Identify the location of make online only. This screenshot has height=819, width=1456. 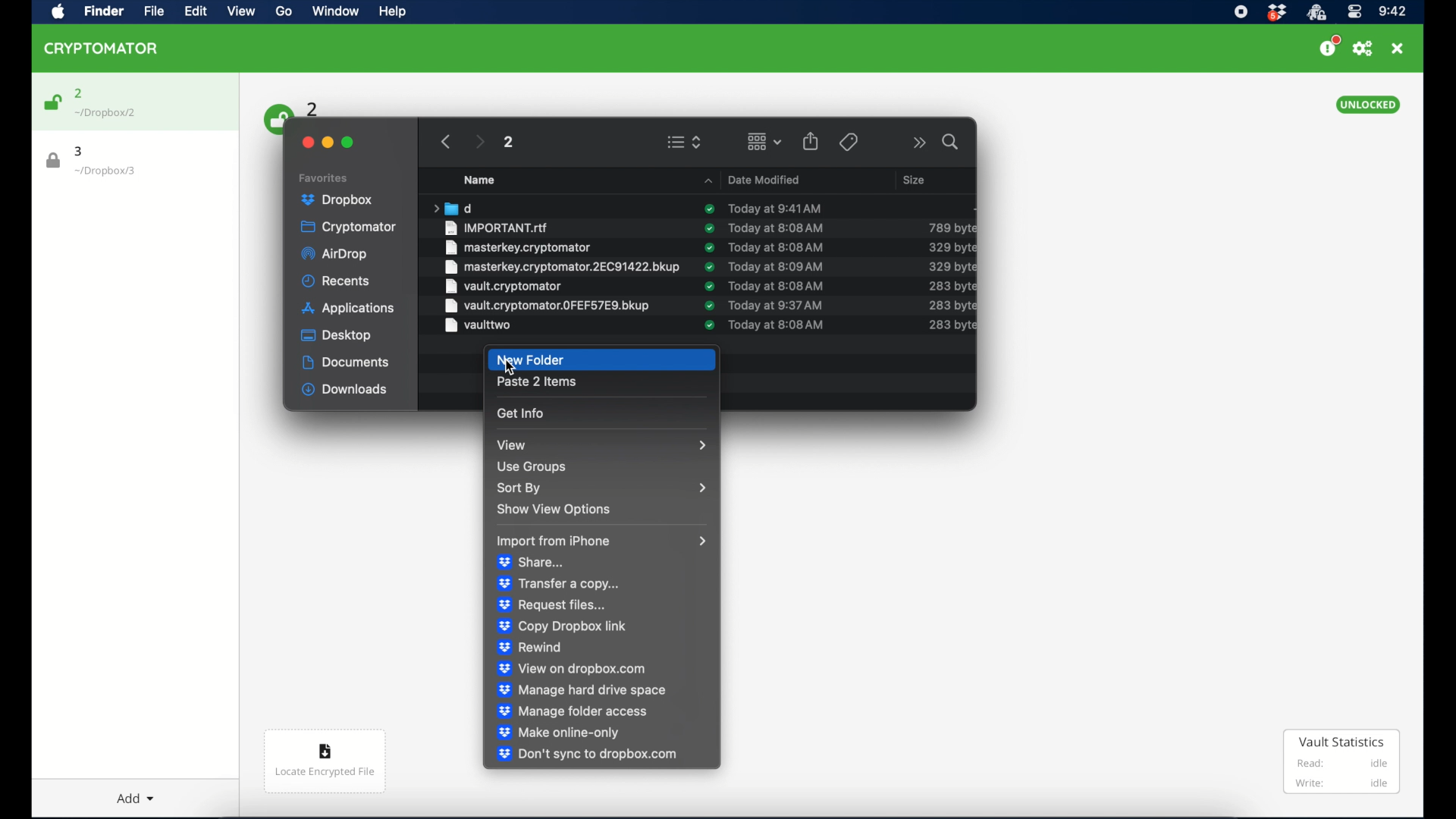
(561, 732).